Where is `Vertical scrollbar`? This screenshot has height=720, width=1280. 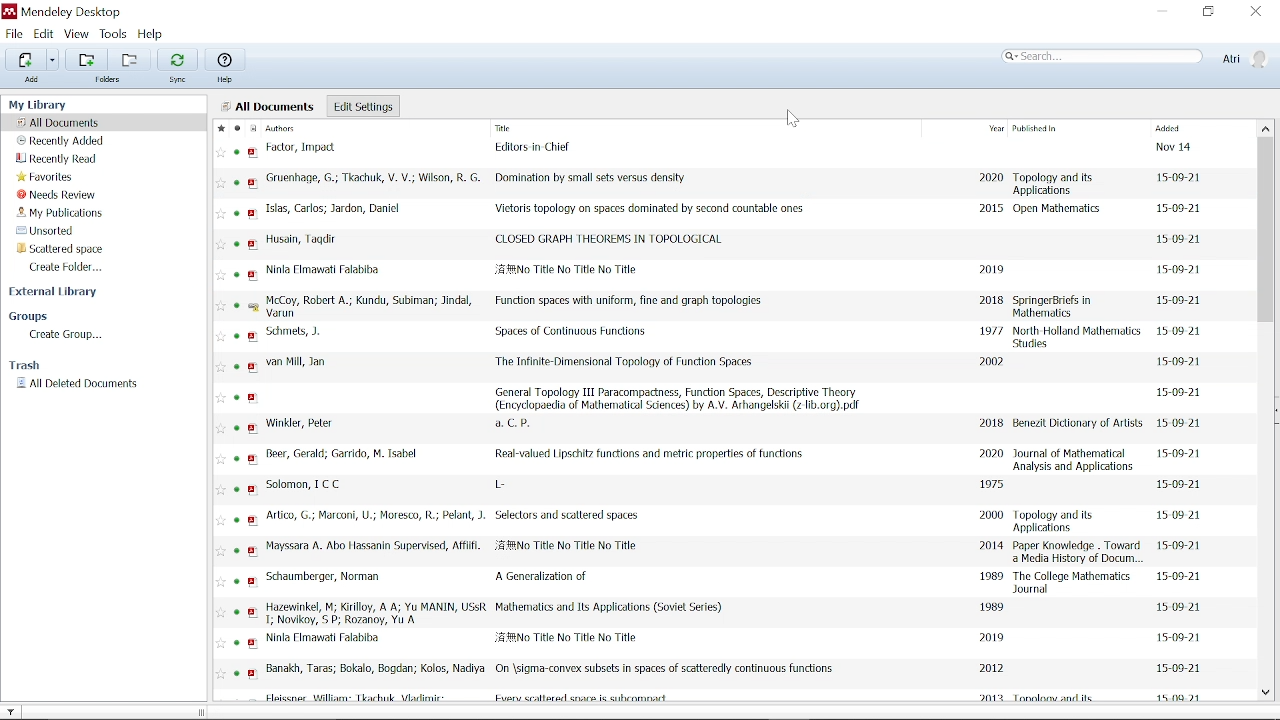 Vertical scrollbar is located at coordinates (1269, 226).